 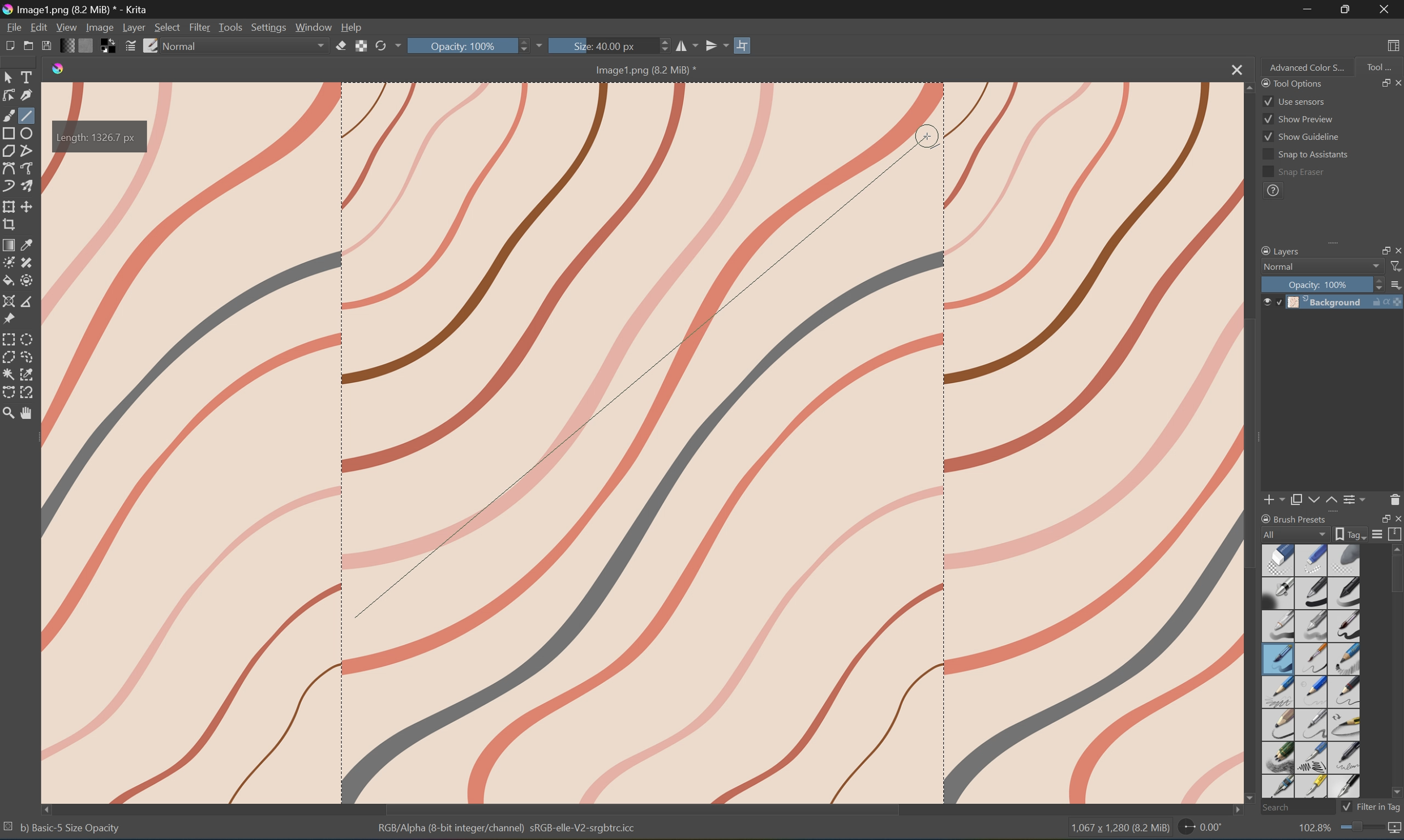 What do you see at coordinates (9, 829) in the screenshot?
I see `No selection` at bounding box center [9, 829].